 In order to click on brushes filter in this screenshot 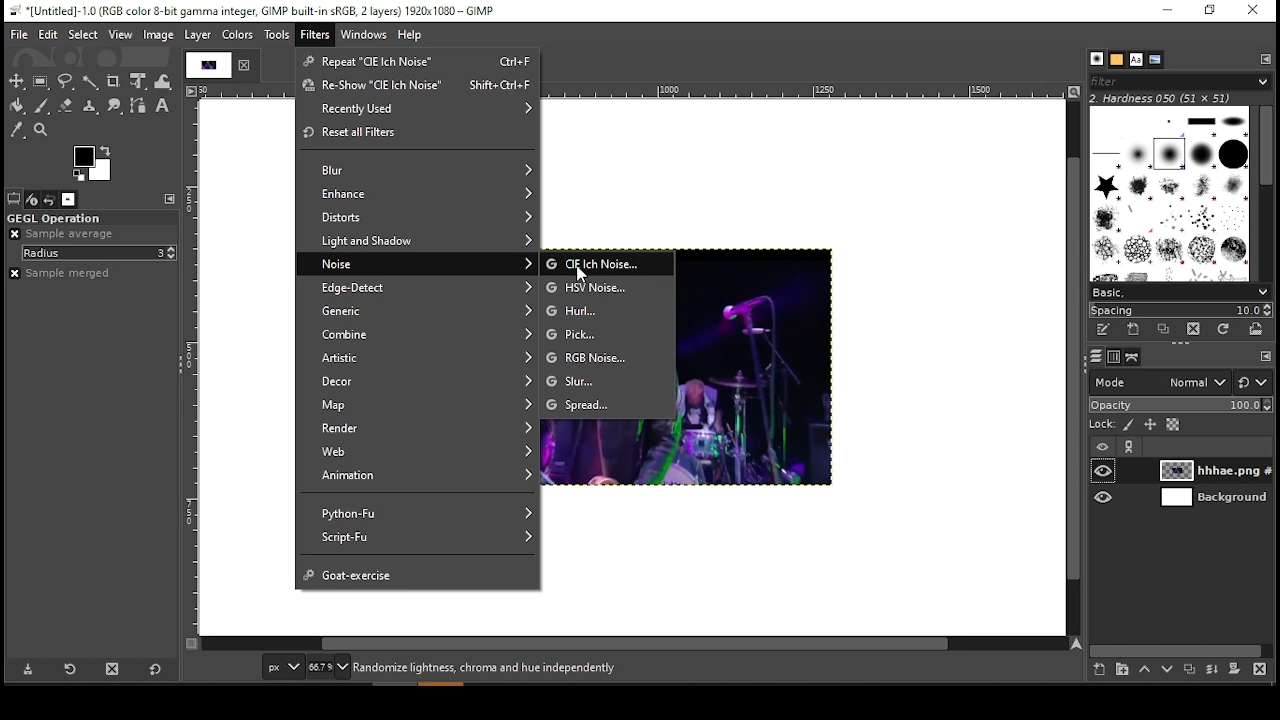, I will do `click(1178, 81)`.